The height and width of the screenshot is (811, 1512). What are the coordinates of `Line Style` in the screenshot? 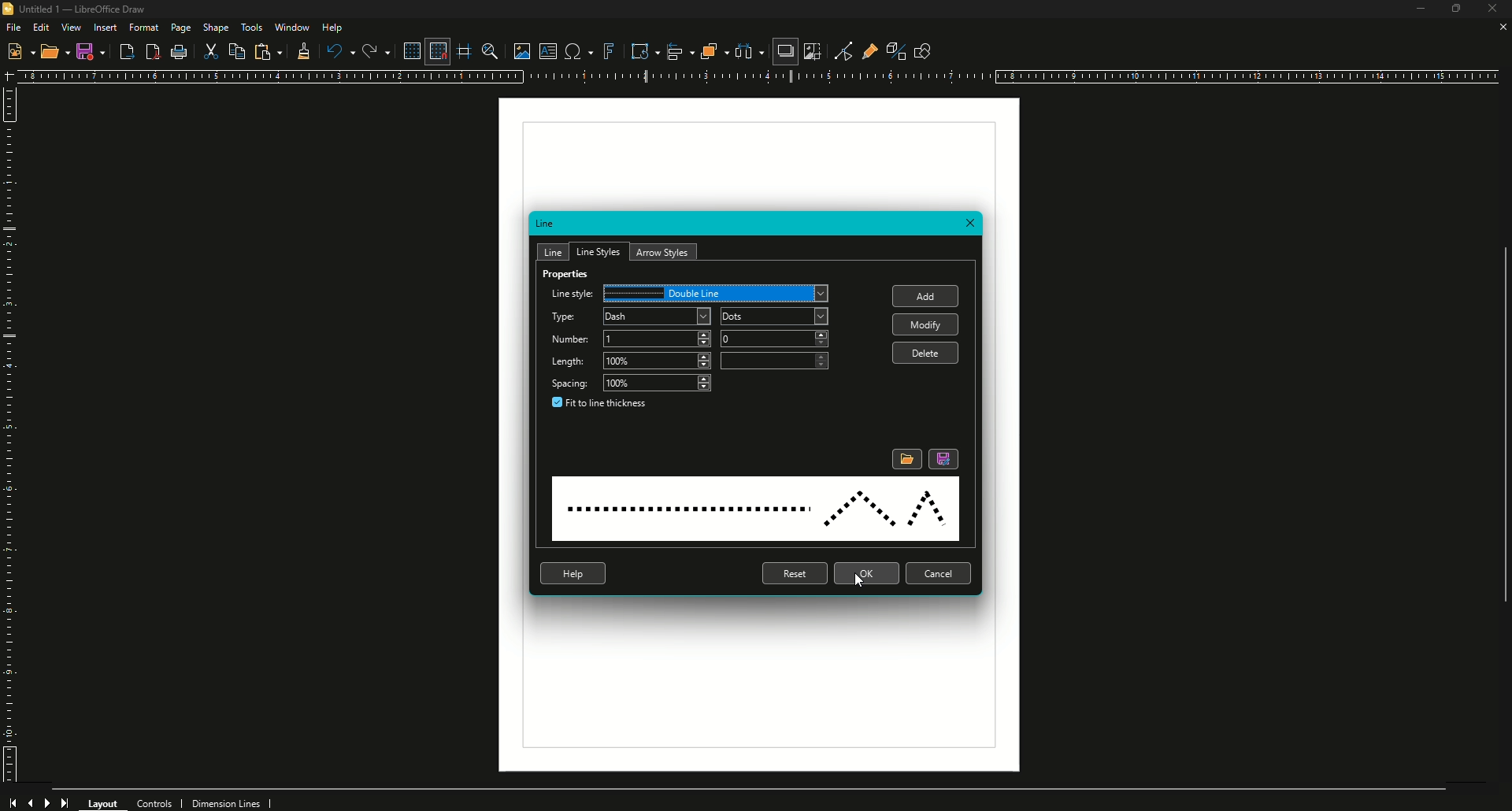 It's located at (755, 510).